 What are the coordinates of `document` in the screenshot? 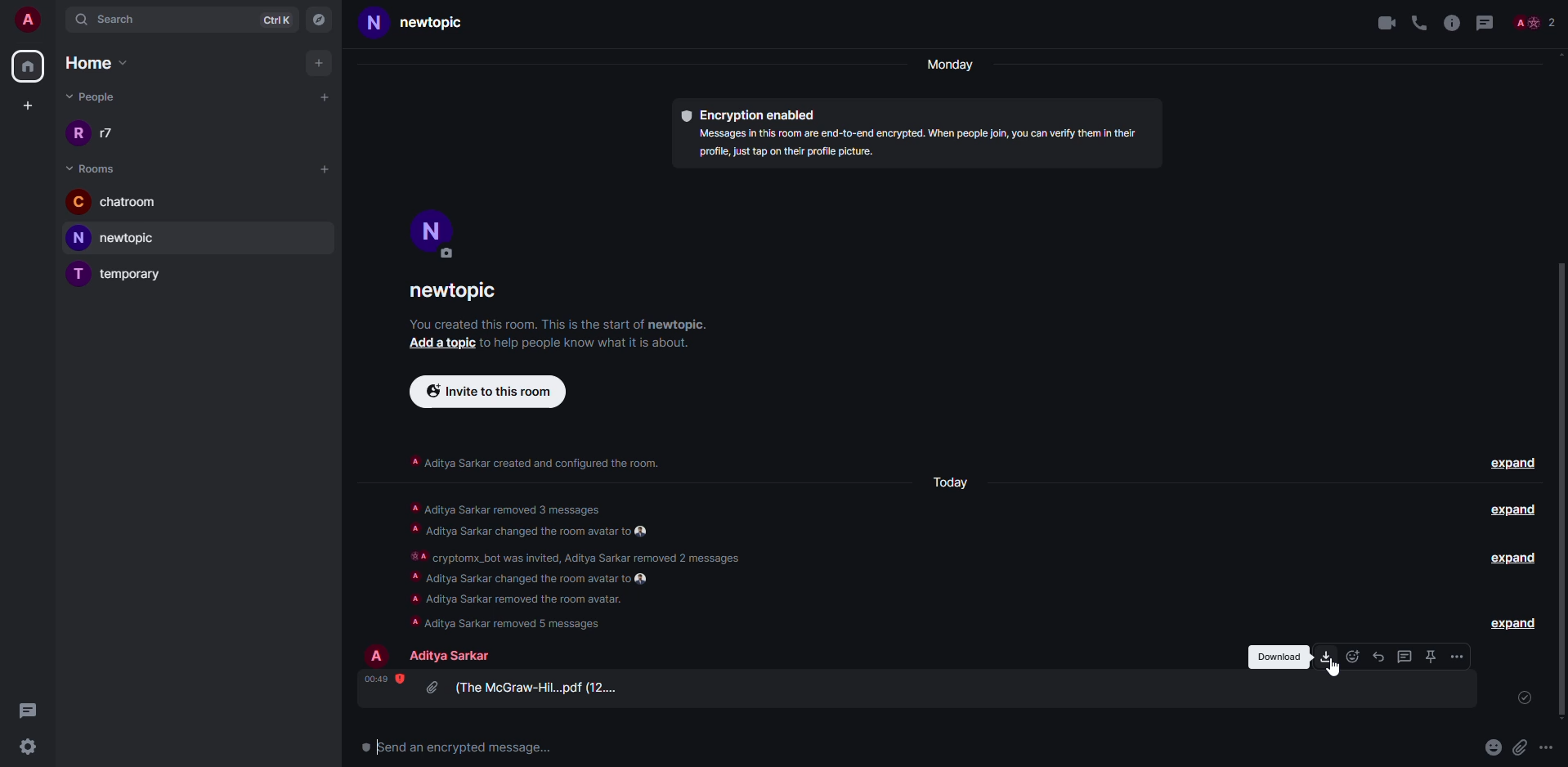 It's located at (531, 689).